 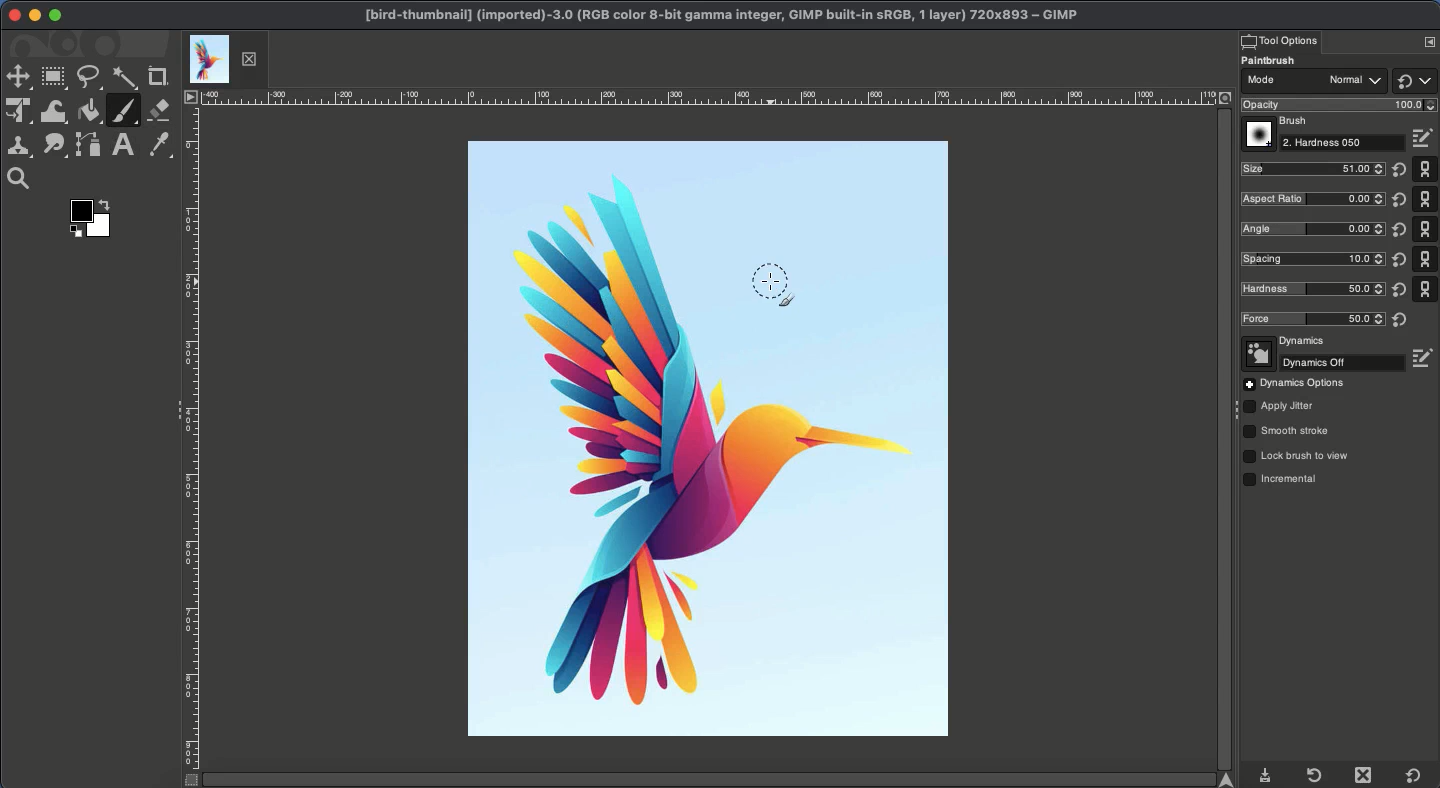 What do you see at coordinates (1344, 143) in the screenshot?
I see `Hardness` at bounding box center [1344, 143].